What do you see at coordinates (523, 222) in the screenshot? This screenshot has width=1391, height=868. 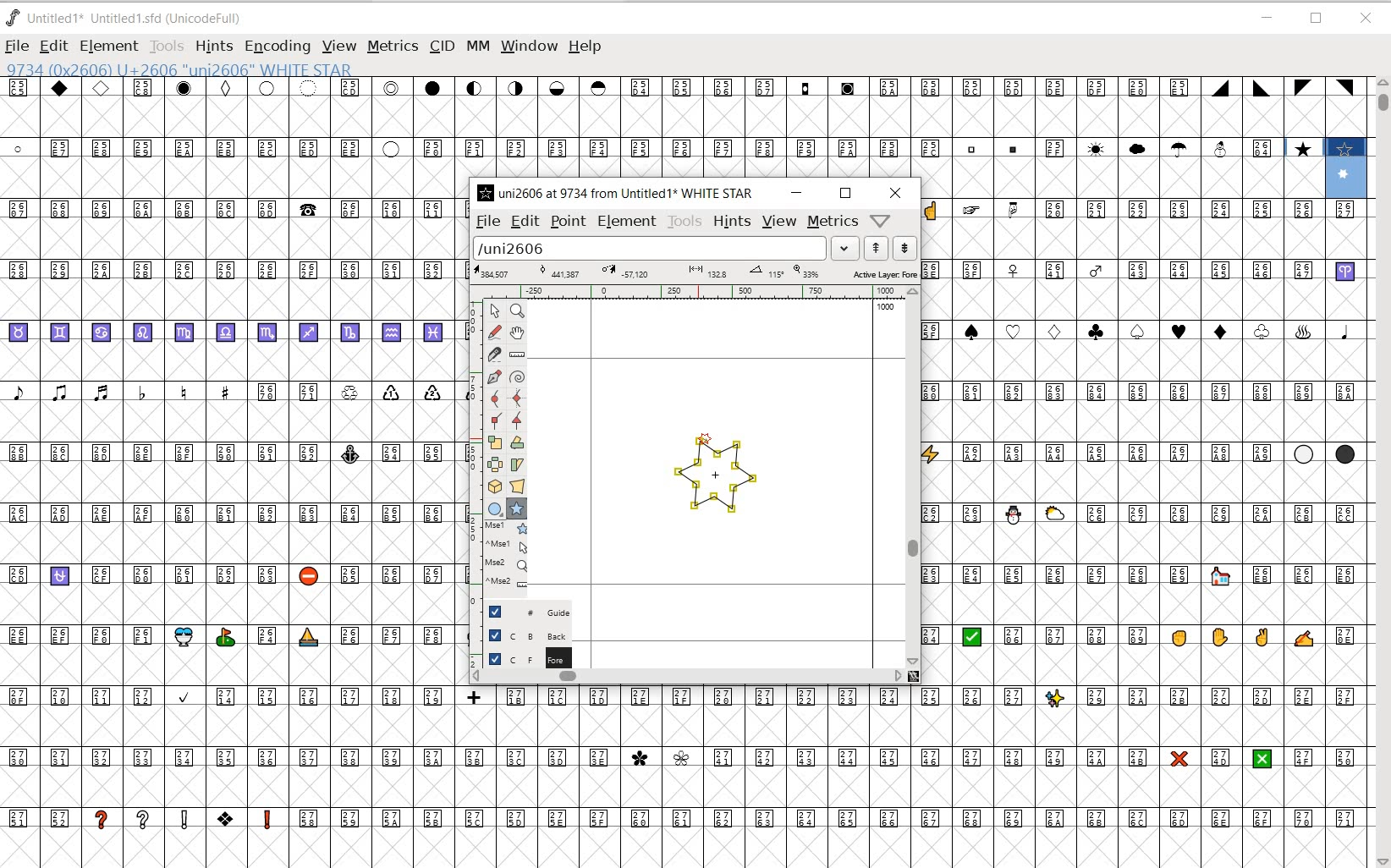 I see `EDIT` at bounding box center [523, 222].